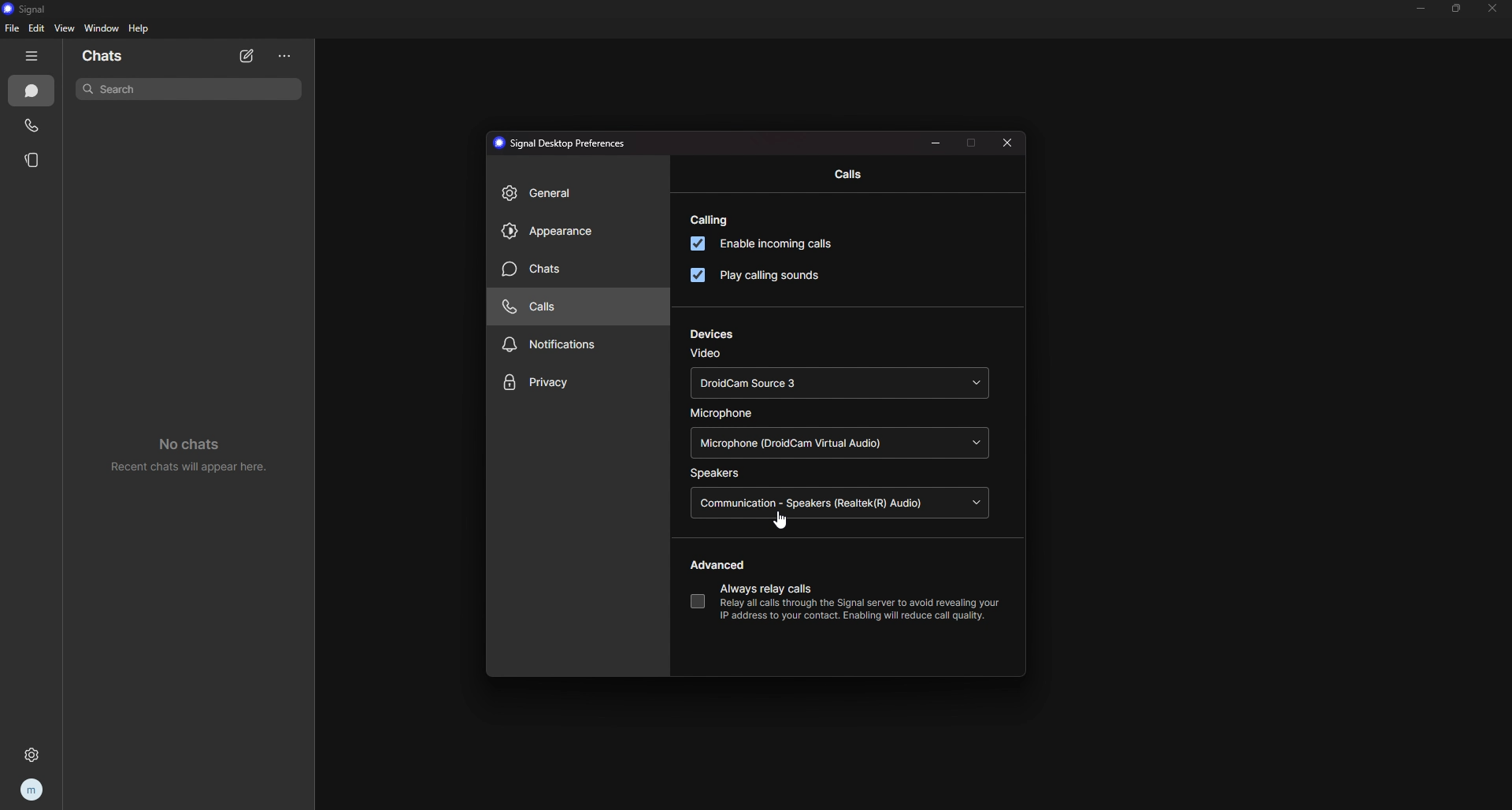 The width and height of the screenshot is (1512, 810). I want to click on file, so click(12, 29).